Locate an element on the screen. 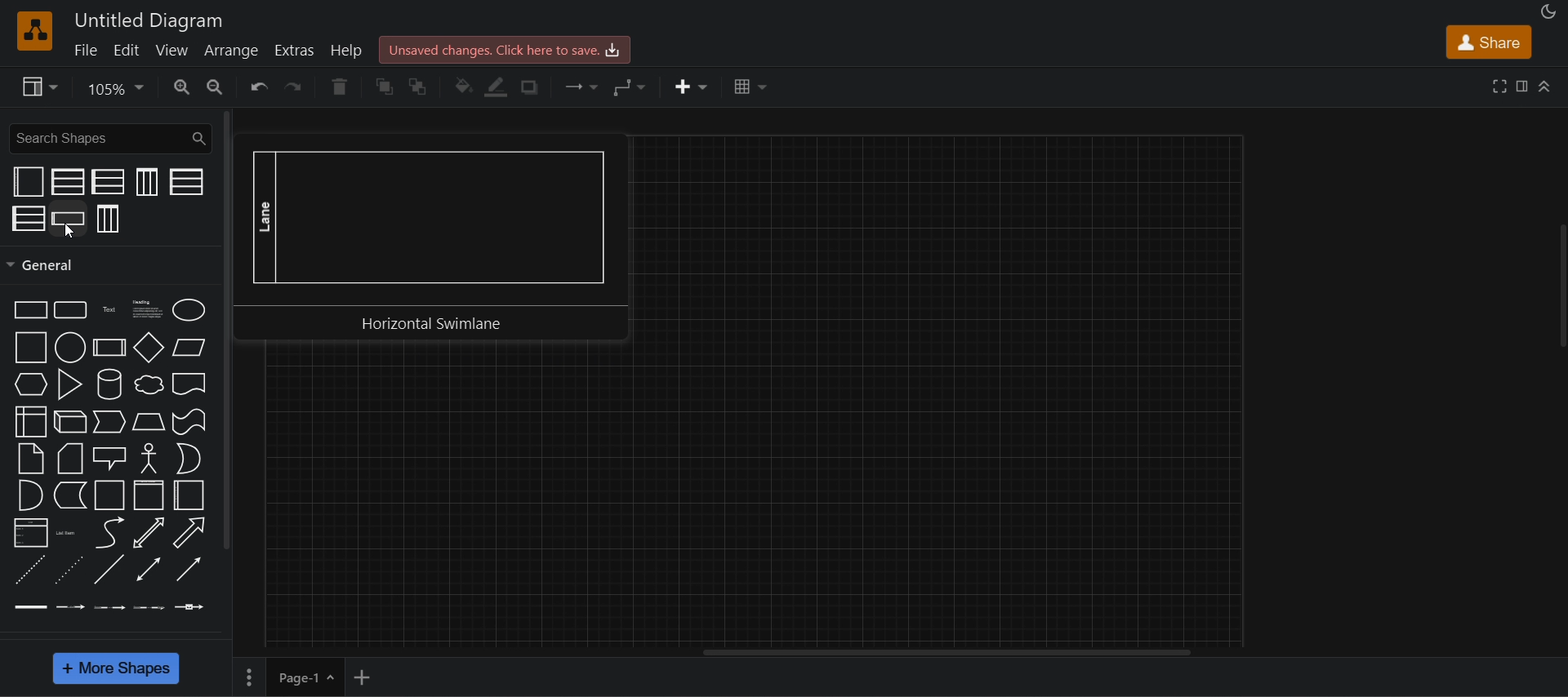 The image size is (1568, 697). internal storage is located at coordinates (33, 422).